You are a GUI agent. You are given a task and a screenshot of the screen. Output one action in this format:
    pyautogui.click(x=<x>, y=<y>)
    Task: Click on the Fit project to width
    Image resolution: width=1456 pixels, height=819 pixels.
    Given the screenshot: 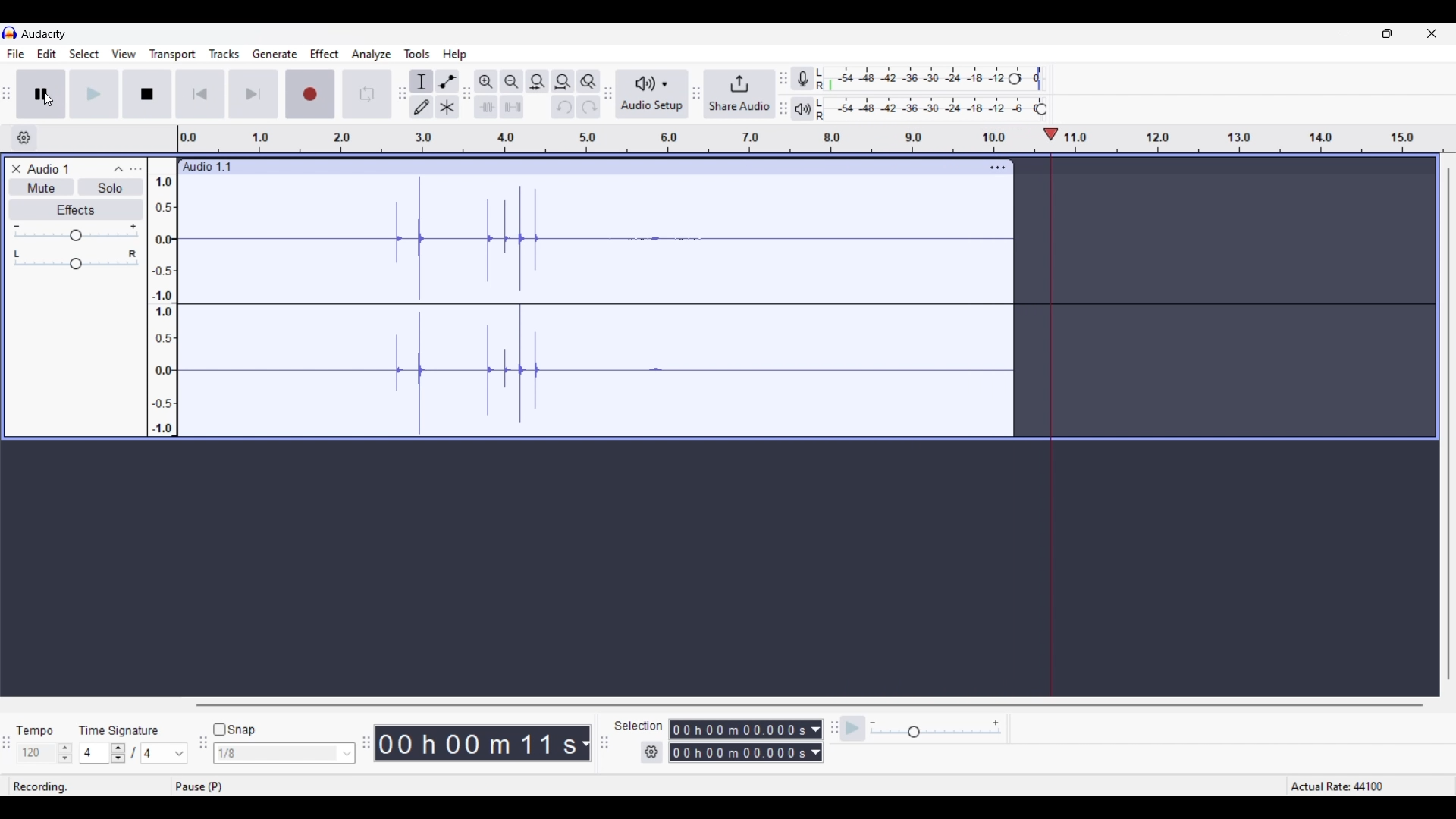 What is the action you would take?
    pyautogui.click(x=563, y=82)
    